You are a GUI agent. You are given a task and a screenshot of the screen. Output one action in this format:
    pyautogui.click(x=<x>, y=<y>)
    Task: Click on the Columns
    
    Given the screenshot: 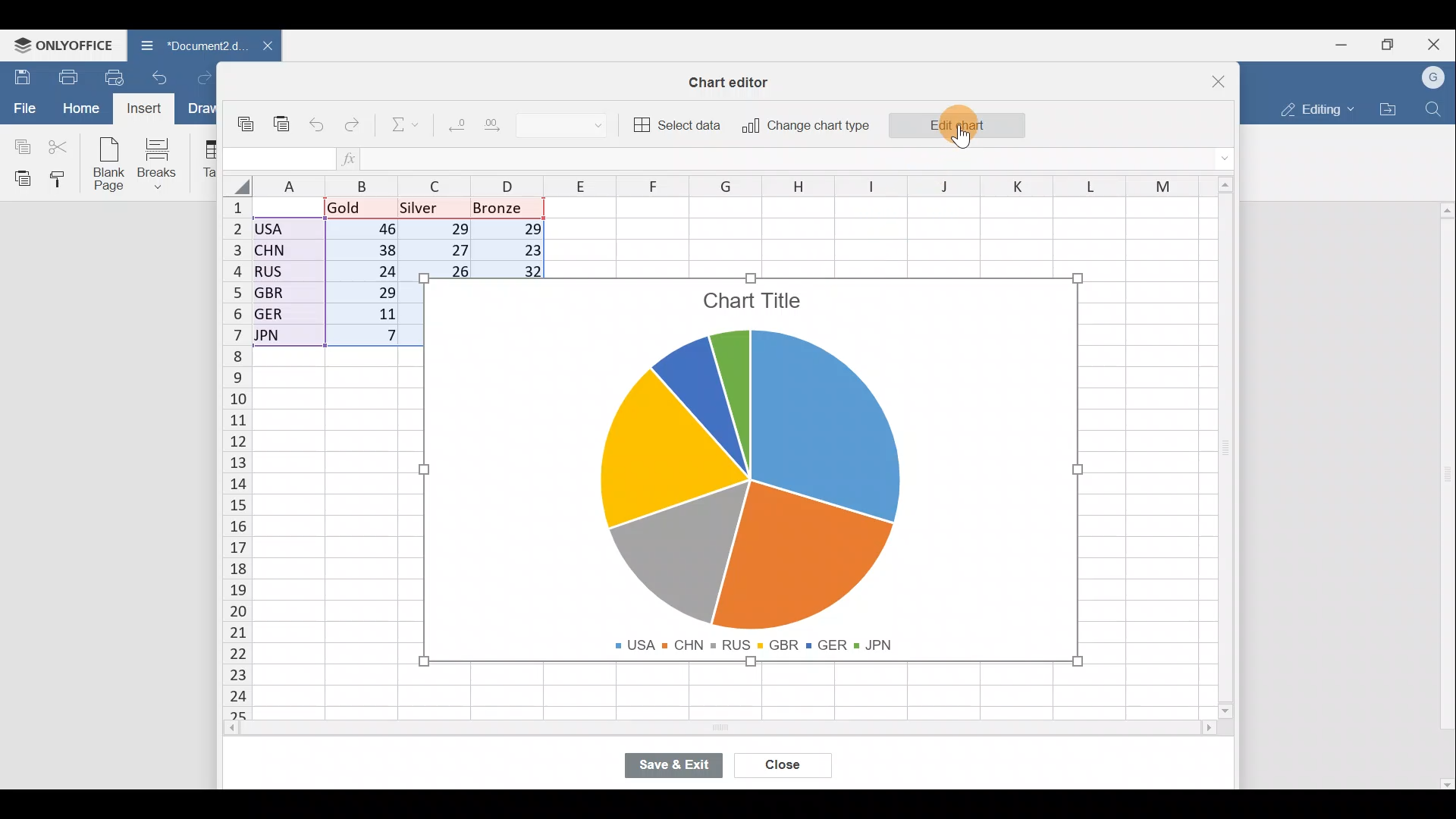 What is the action you would take?
    pyautogui.click(x=745, y=186)
    